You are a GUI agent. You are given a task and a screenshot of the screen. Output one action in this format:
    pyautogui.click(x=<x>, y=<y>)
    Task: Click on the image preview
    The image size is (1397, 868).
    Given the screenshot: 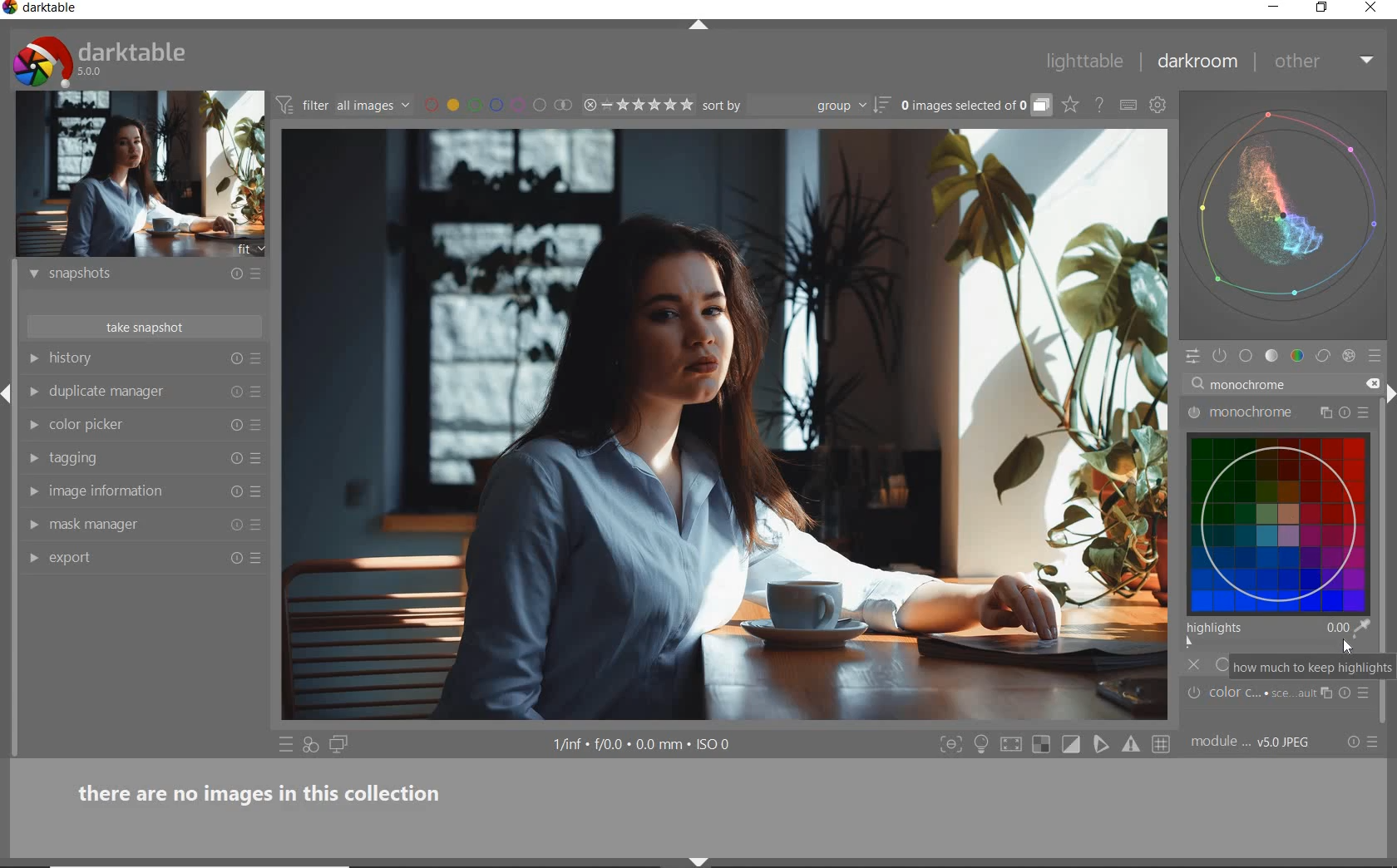 What is the action you would take?
    pyautogui.click(x=141, y=175)
    